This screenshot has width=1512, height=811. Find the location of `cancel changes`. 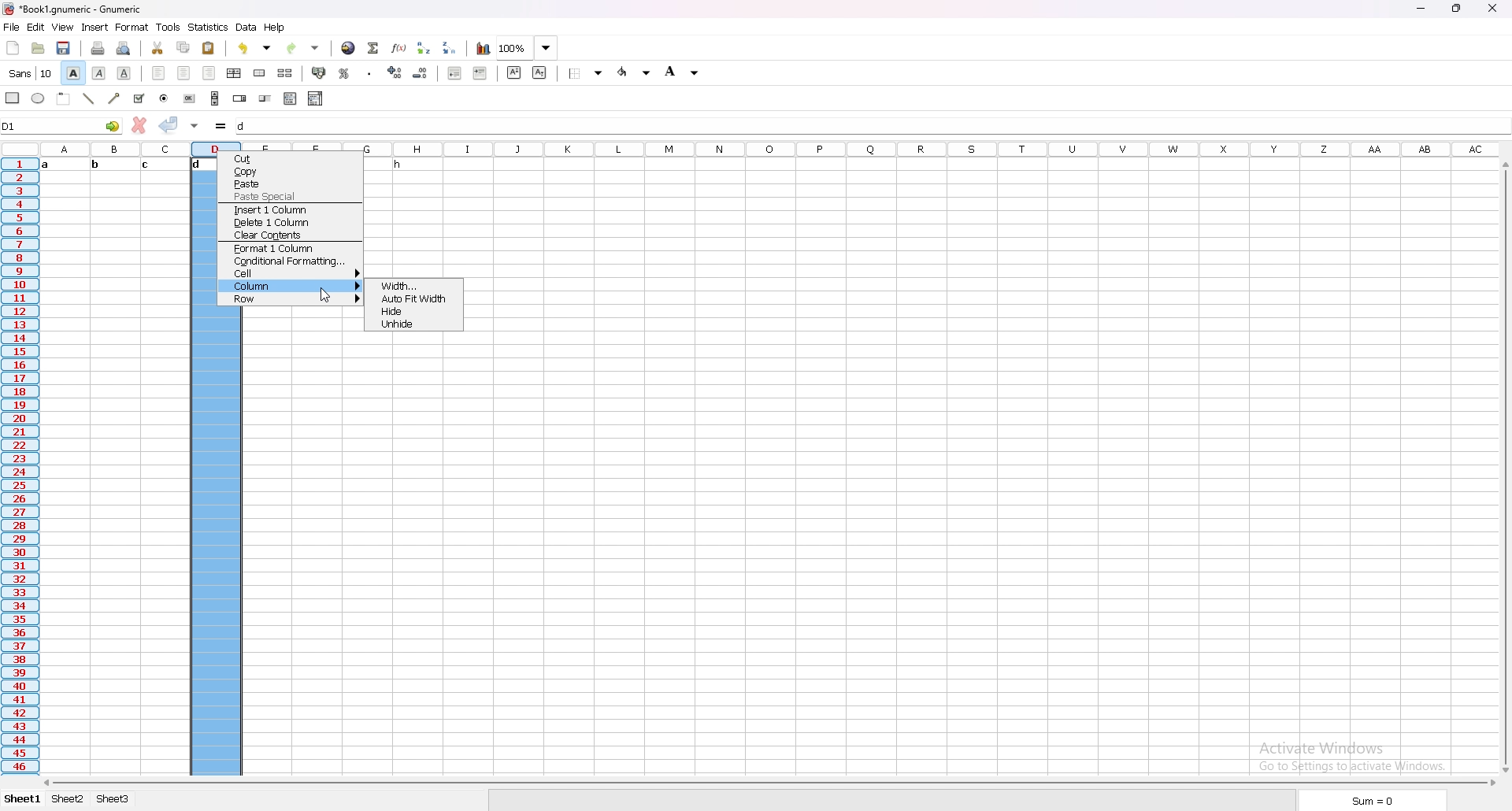

cancel changes is located at coordinates (139, 124).